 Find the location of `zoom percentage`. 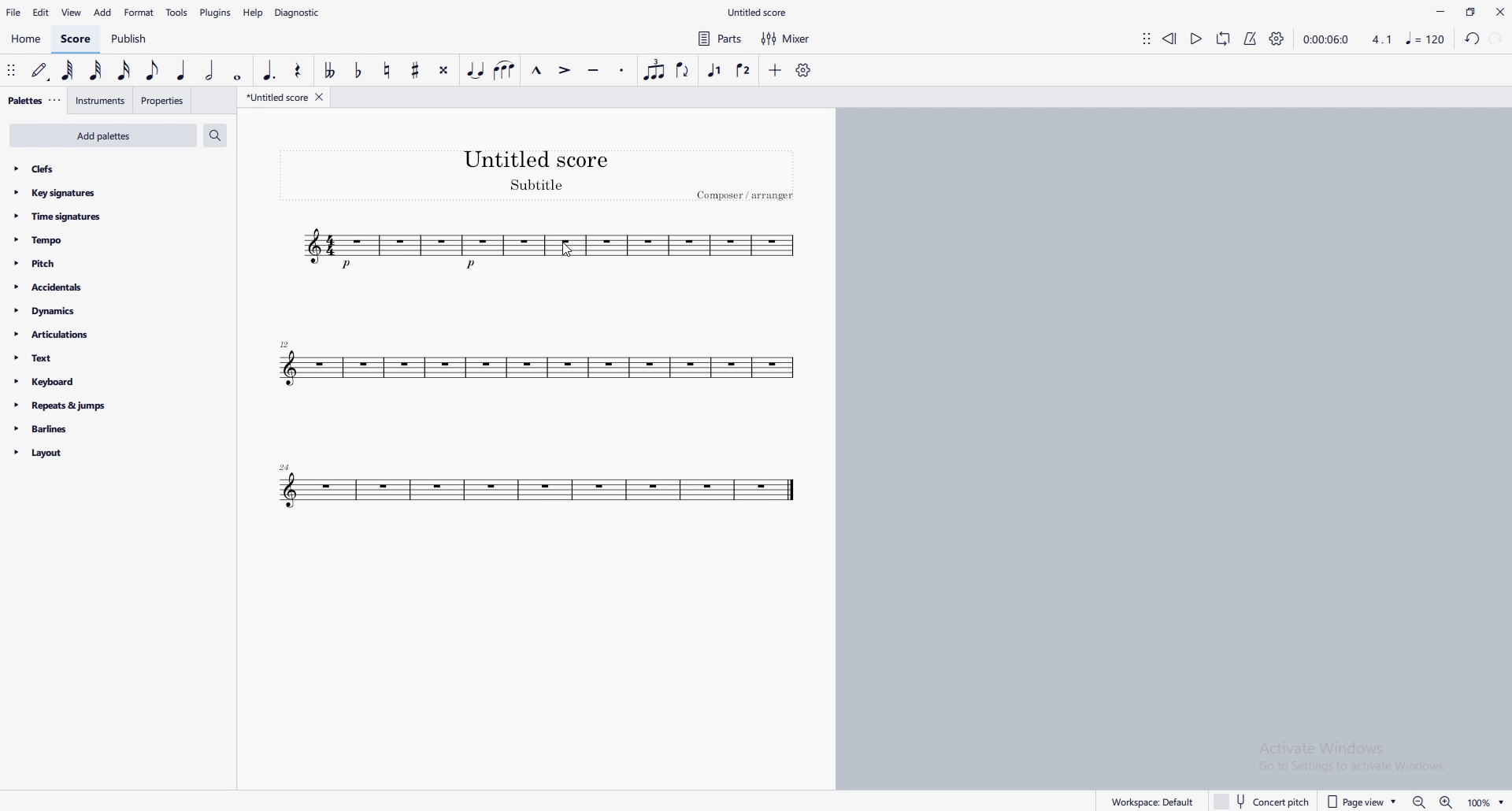

zoom percentage is located at coordinates (1487, 802).